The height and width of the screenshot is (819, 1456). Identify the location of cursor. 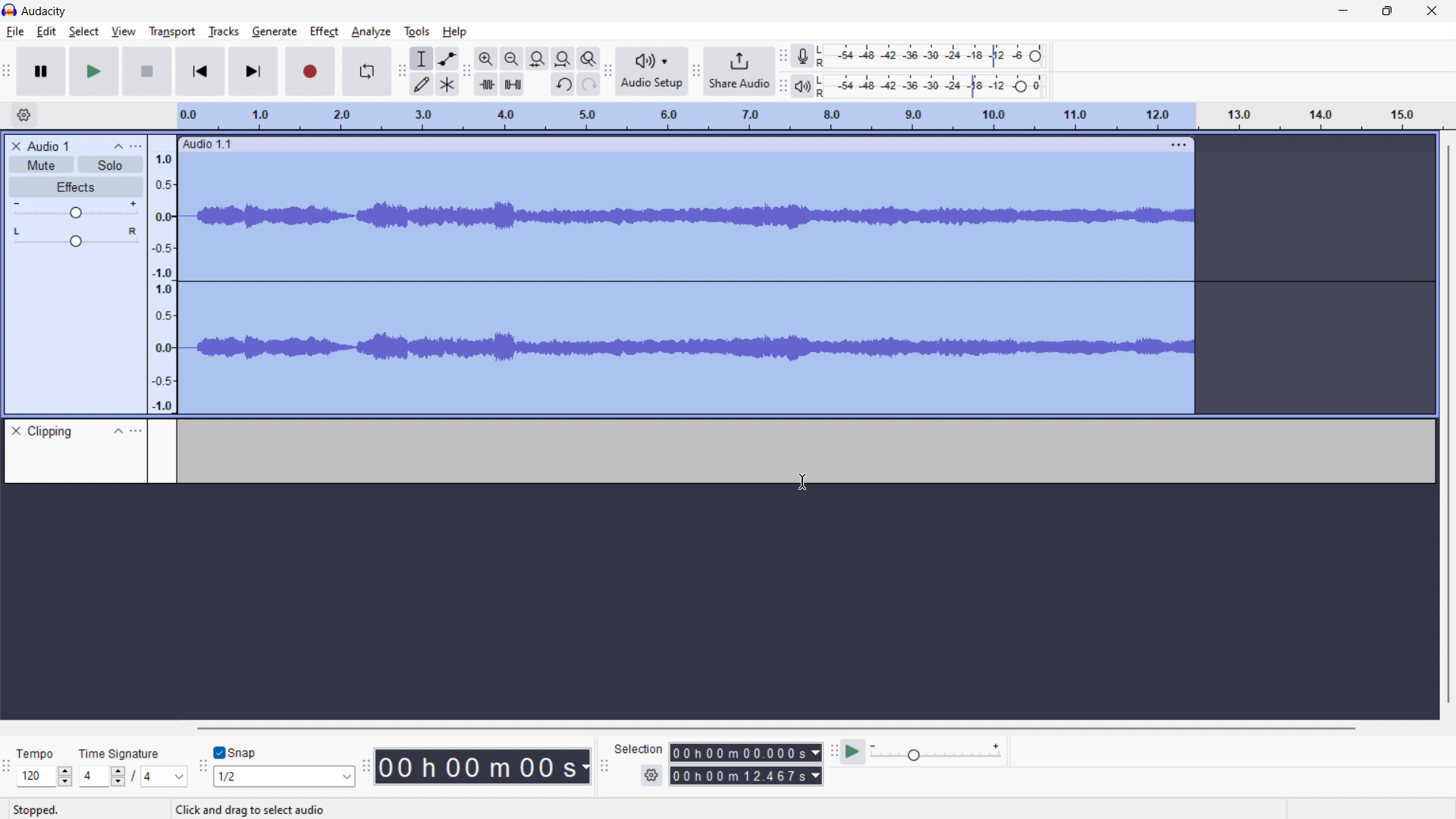
(802, 481).